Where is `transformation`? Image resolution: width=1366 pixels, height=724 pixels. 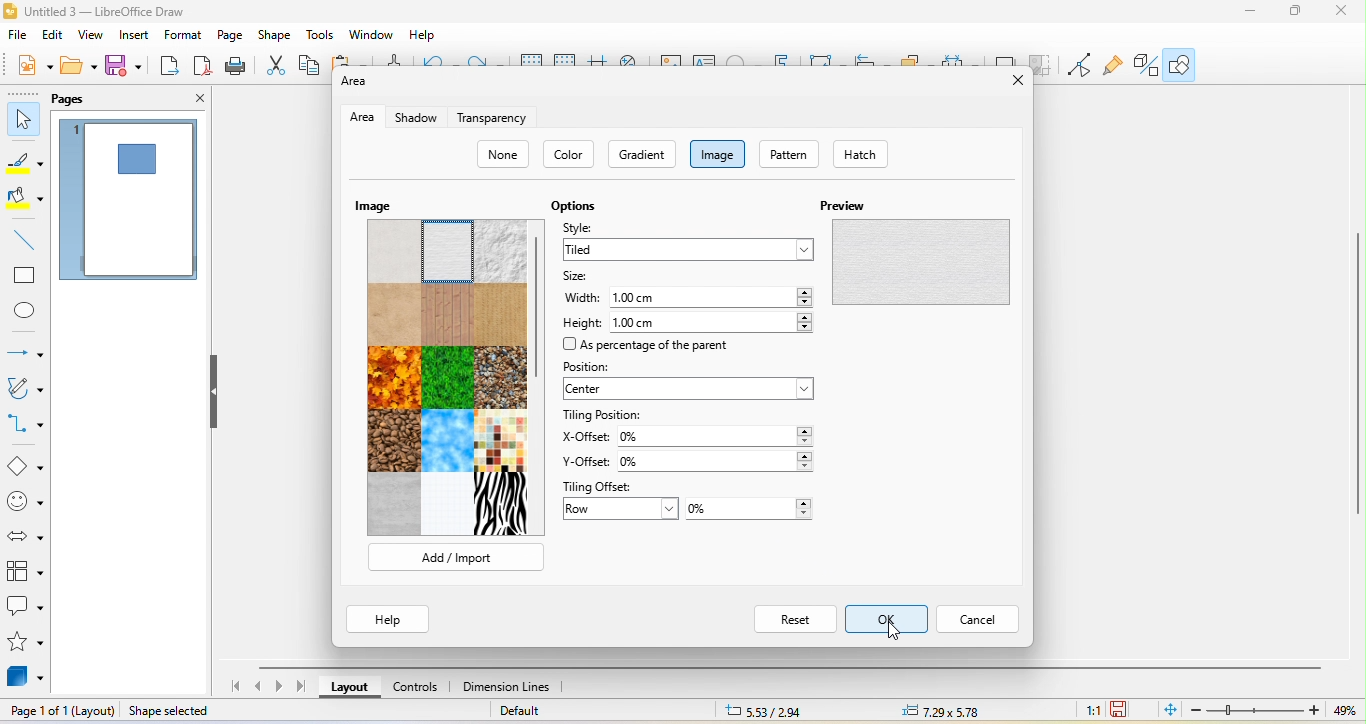
transformation is located at coordinates (829, 59).